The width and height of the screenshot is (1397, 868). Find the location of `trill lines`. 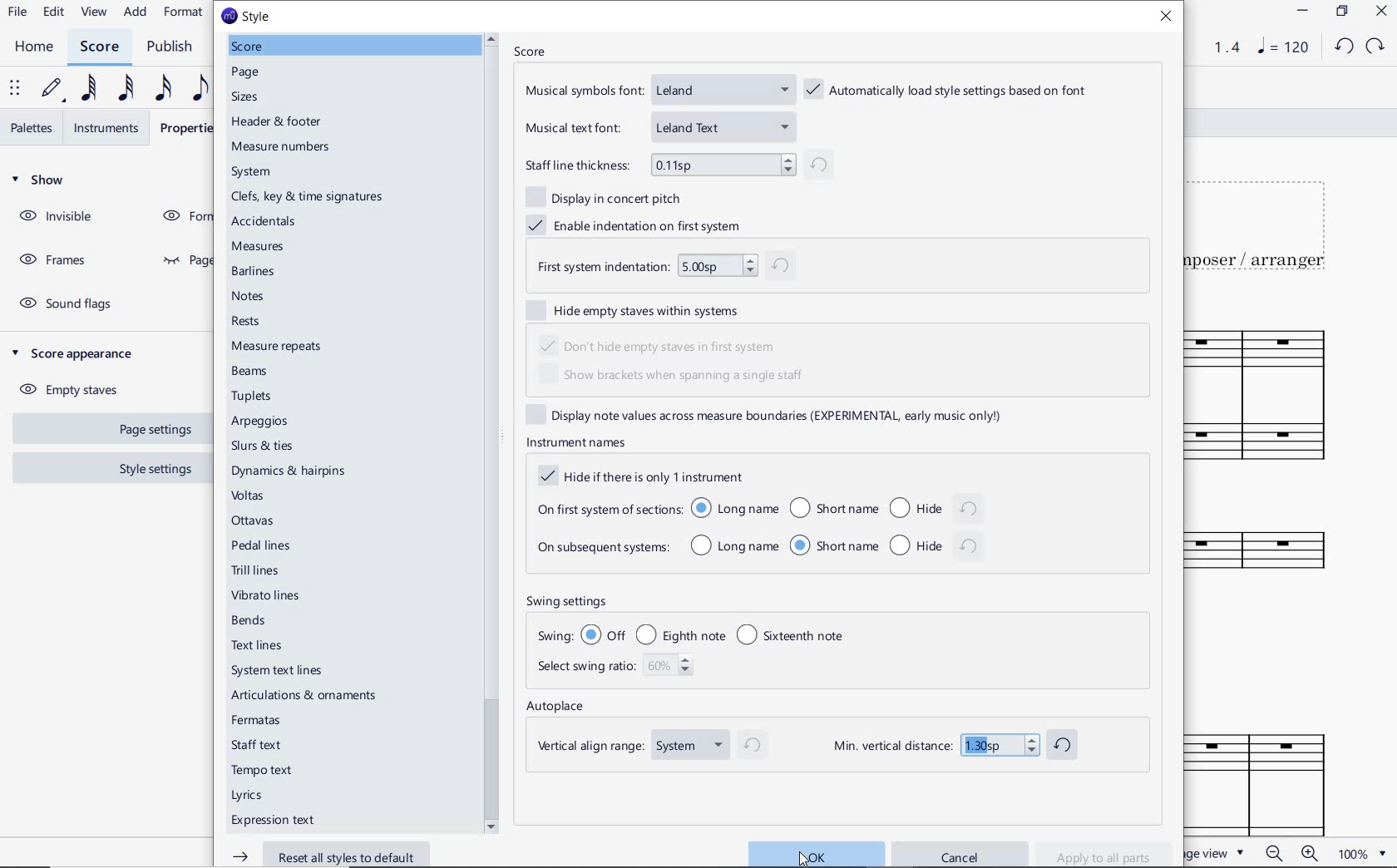

trill lines is located at coordinates (256, 570).